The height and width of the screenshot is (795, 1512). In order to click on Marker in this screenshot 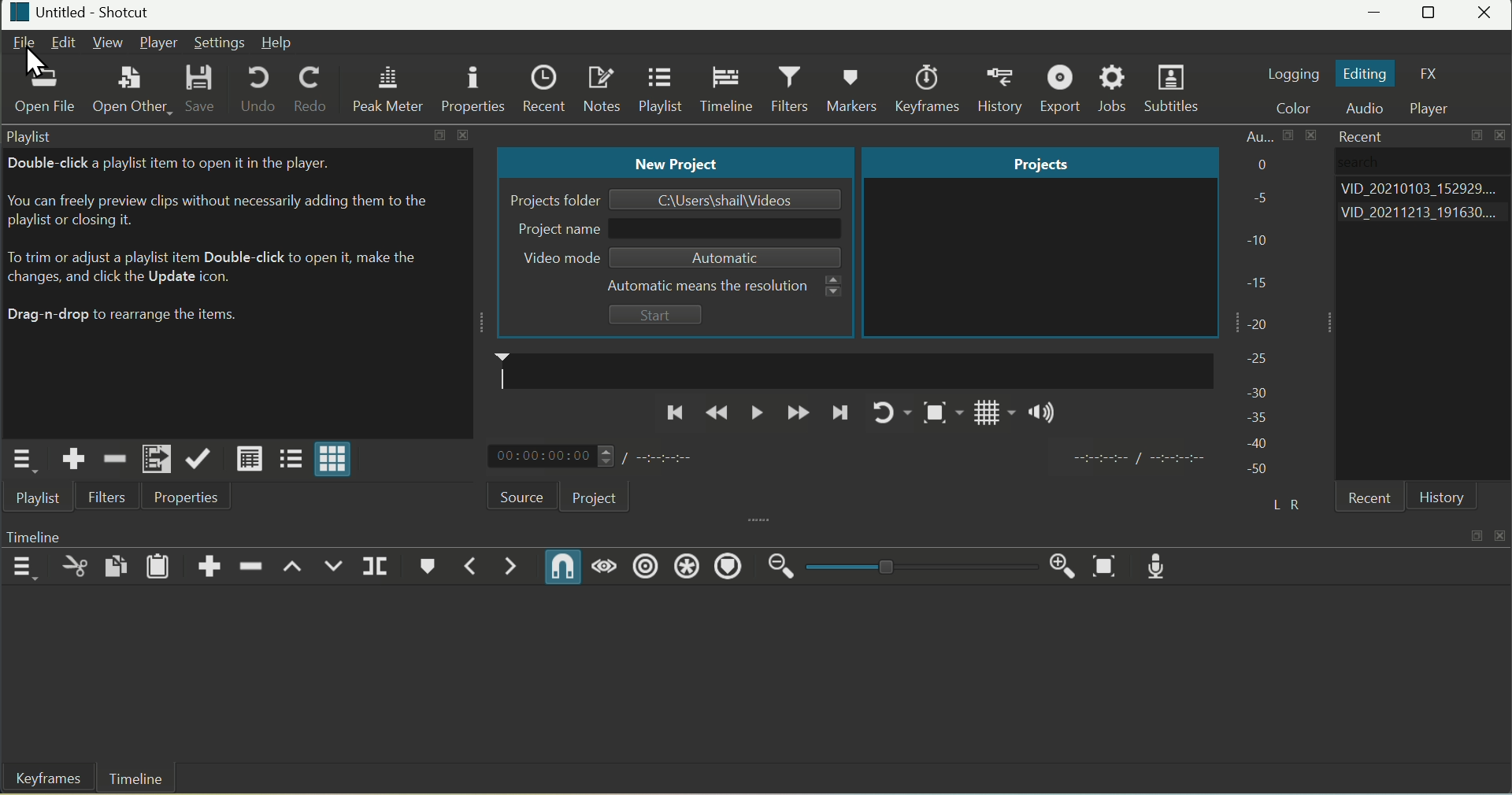, I will do `click(423, 568)`.